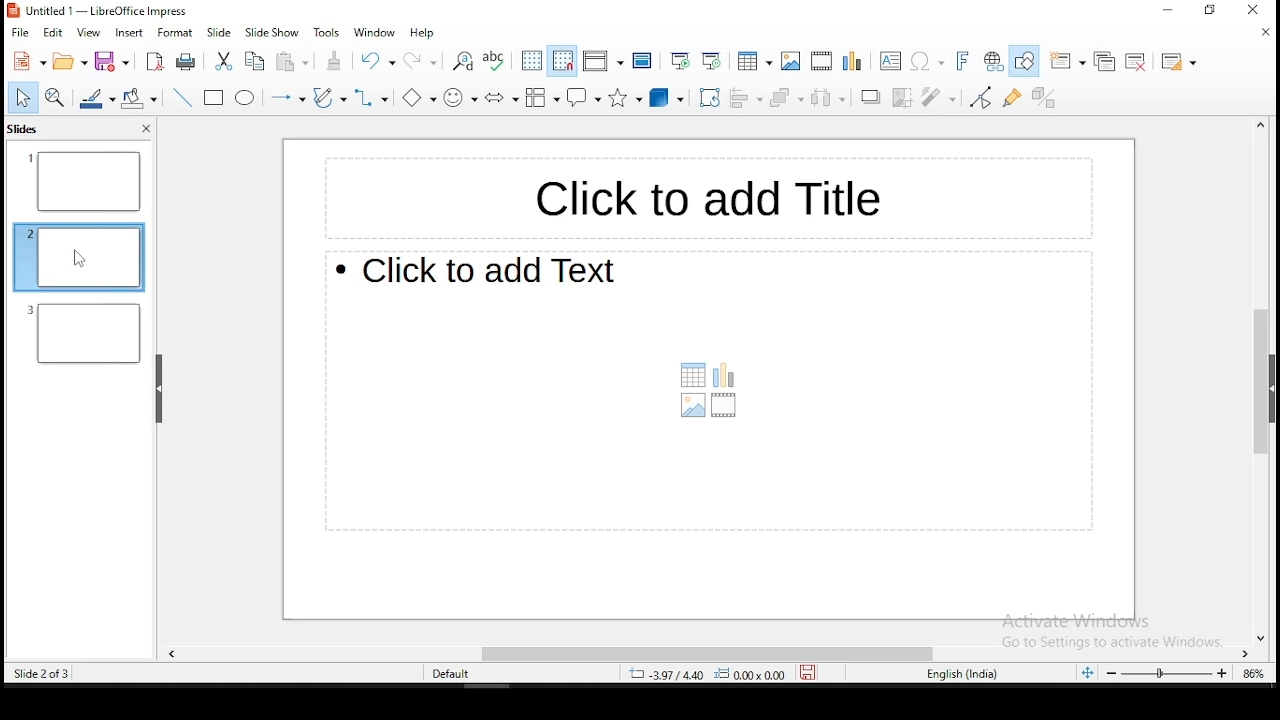 The width and height of the screenshot is (1280, 720). Describe the element at coordinates (335, 60) in the screenshot. I see `clone formatting` at that location.